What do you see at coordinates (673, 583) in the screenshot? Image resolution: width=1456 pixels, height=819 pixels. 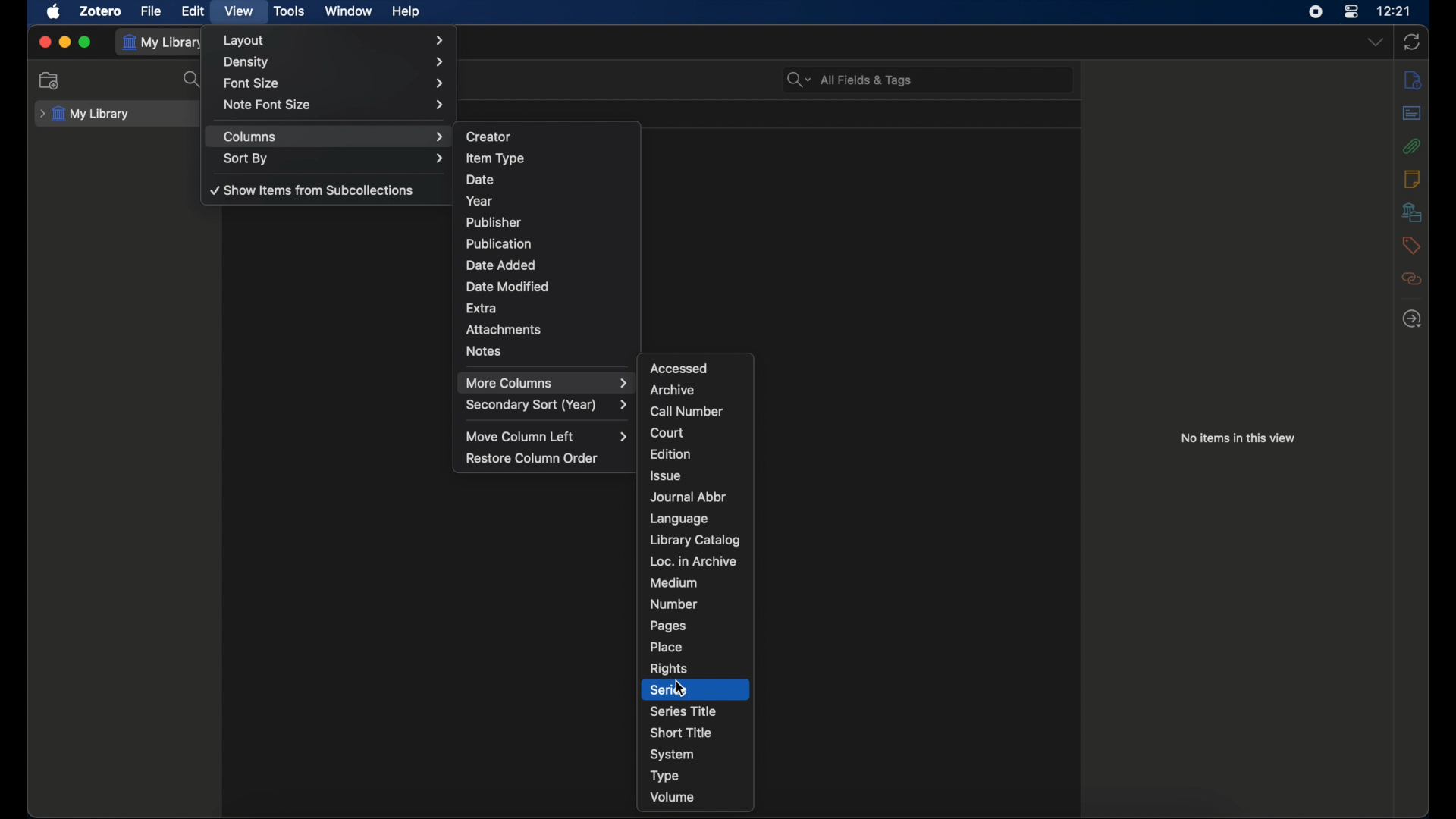 I see `medium` at bounding box center [673, 583].